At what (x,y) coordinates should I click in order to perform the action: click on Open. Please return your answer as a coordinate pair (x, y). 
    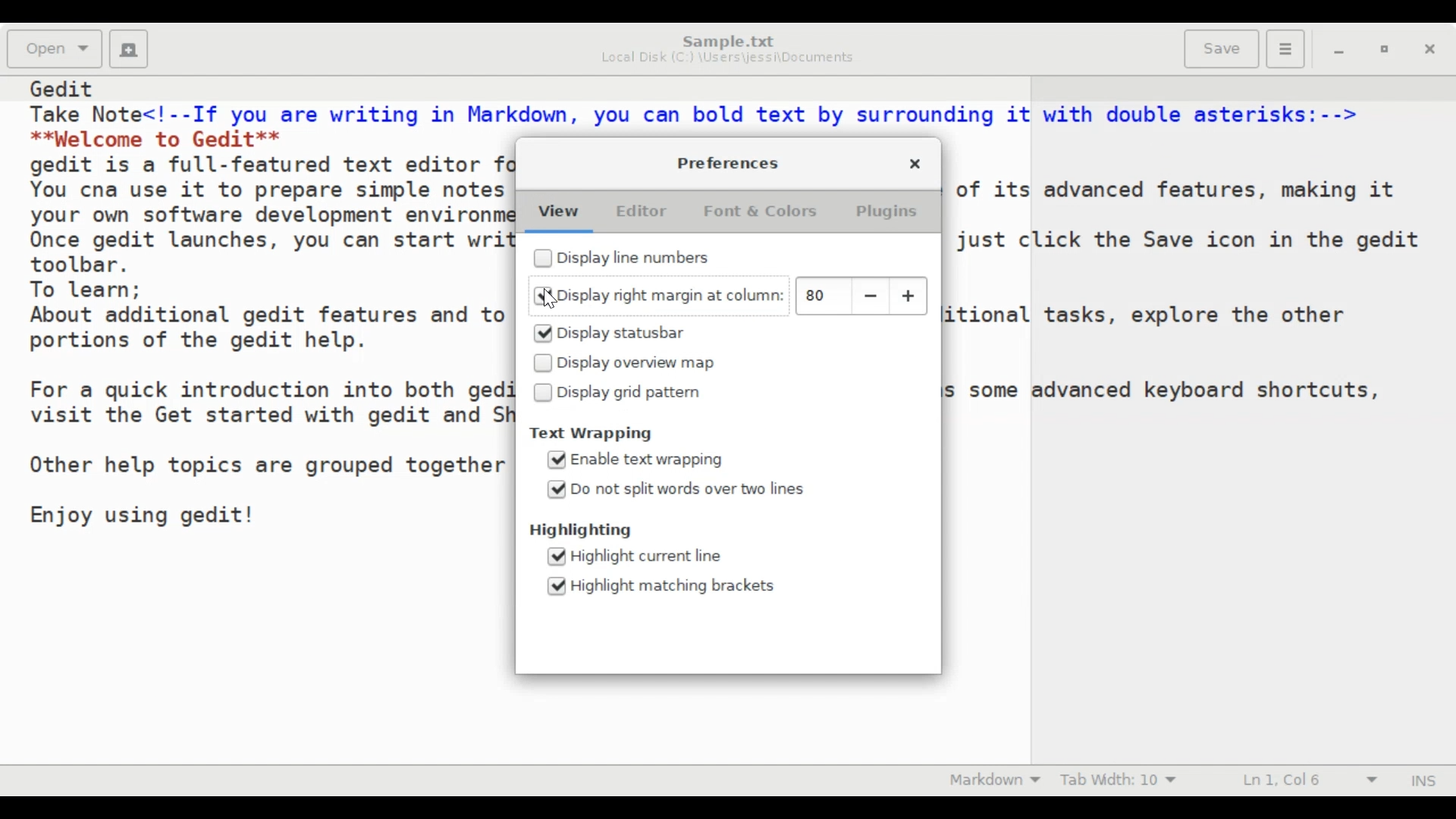
    Looking at the image, I should click on (57, 49).